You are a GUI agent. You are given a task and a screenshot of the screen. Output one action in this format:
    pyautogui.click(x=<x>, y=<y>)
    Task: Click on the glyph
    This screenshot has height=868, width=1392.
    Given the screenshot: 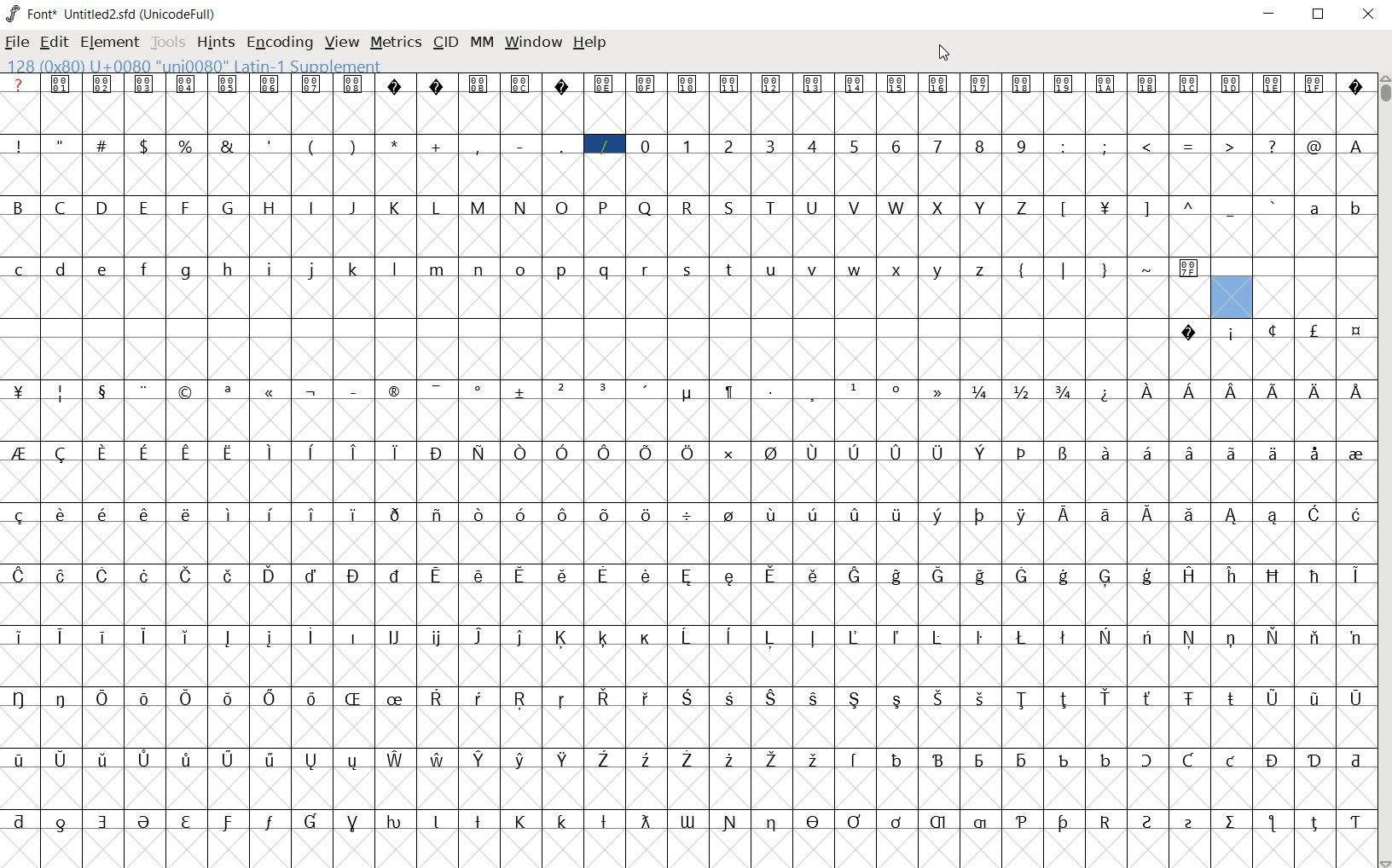 What is the action you would take?
    pyautogui.click(x=647, y=518)
    